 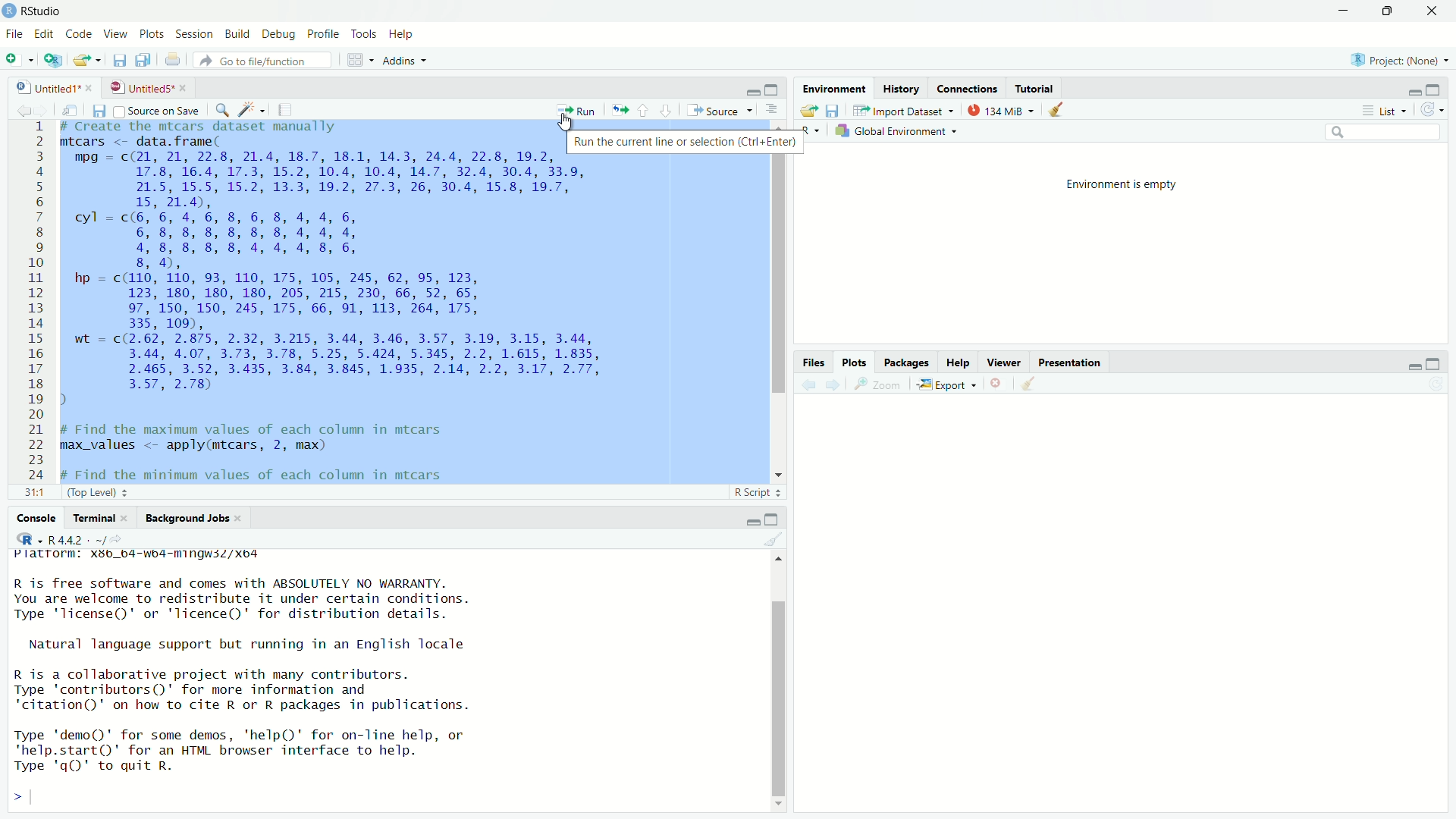 What do you see at coordinates (999, 111) in the screenshot?
I see `134 MIB ~` at bounding box center [999, 111].